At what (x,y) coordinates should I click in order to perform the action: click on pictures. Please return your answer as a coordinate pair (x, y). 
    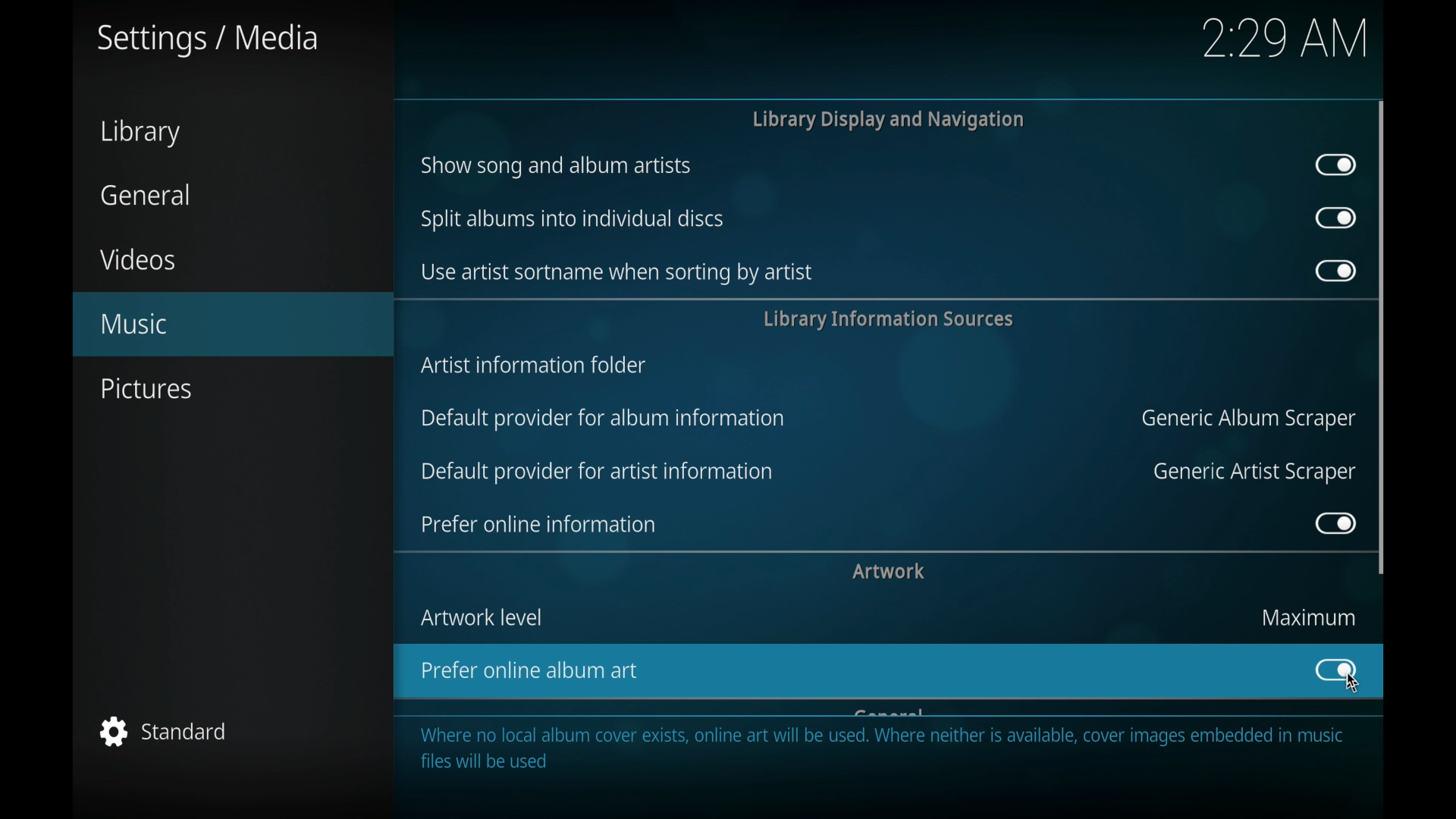
    Looking at the image, I should click on (145, 388).